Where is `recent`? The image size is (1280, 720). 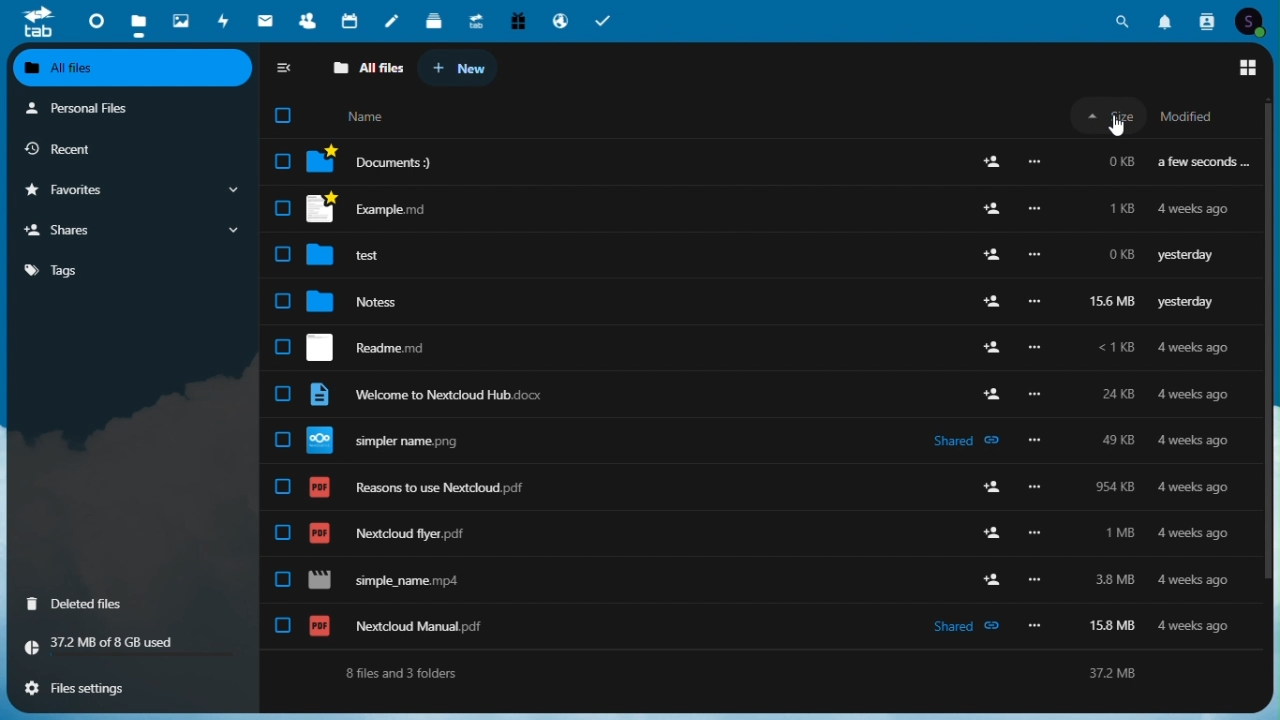 recent is located at coordinates (131, 150).